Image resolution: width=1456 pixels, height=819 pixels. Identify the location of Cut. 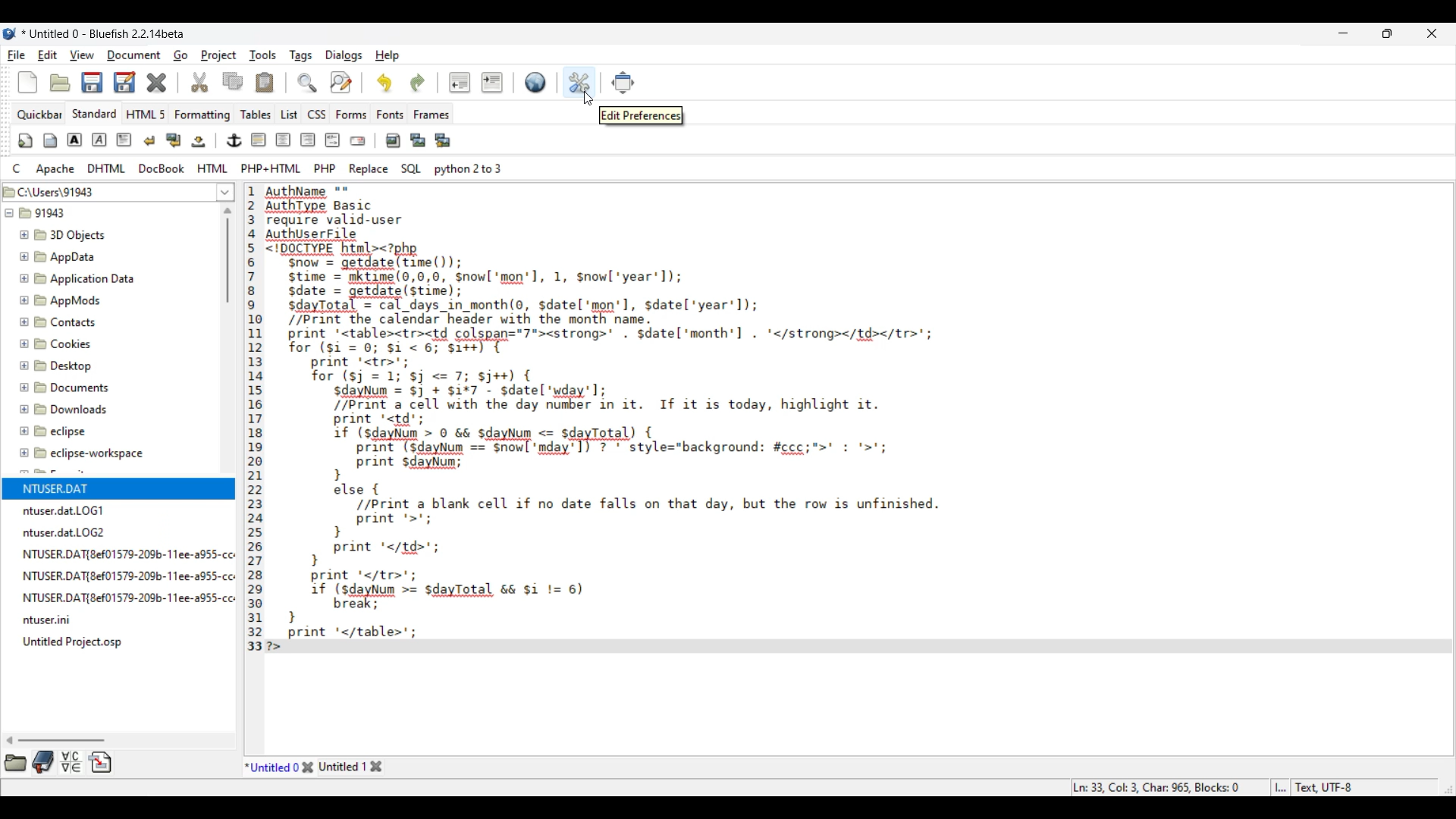
(199, 83).